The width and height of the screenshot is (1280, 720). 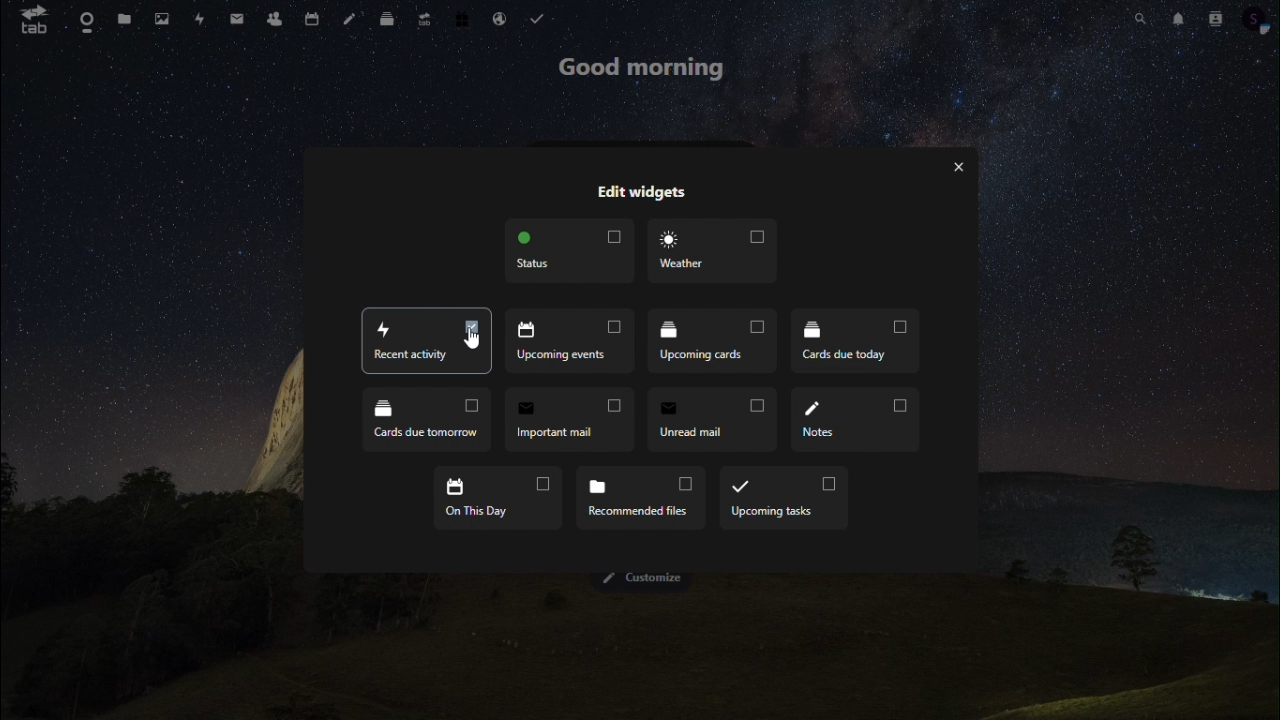 What do you see at coordinates (855, 341) in the screenshot?
I see `cards due today` at bounding box center [855, 341].